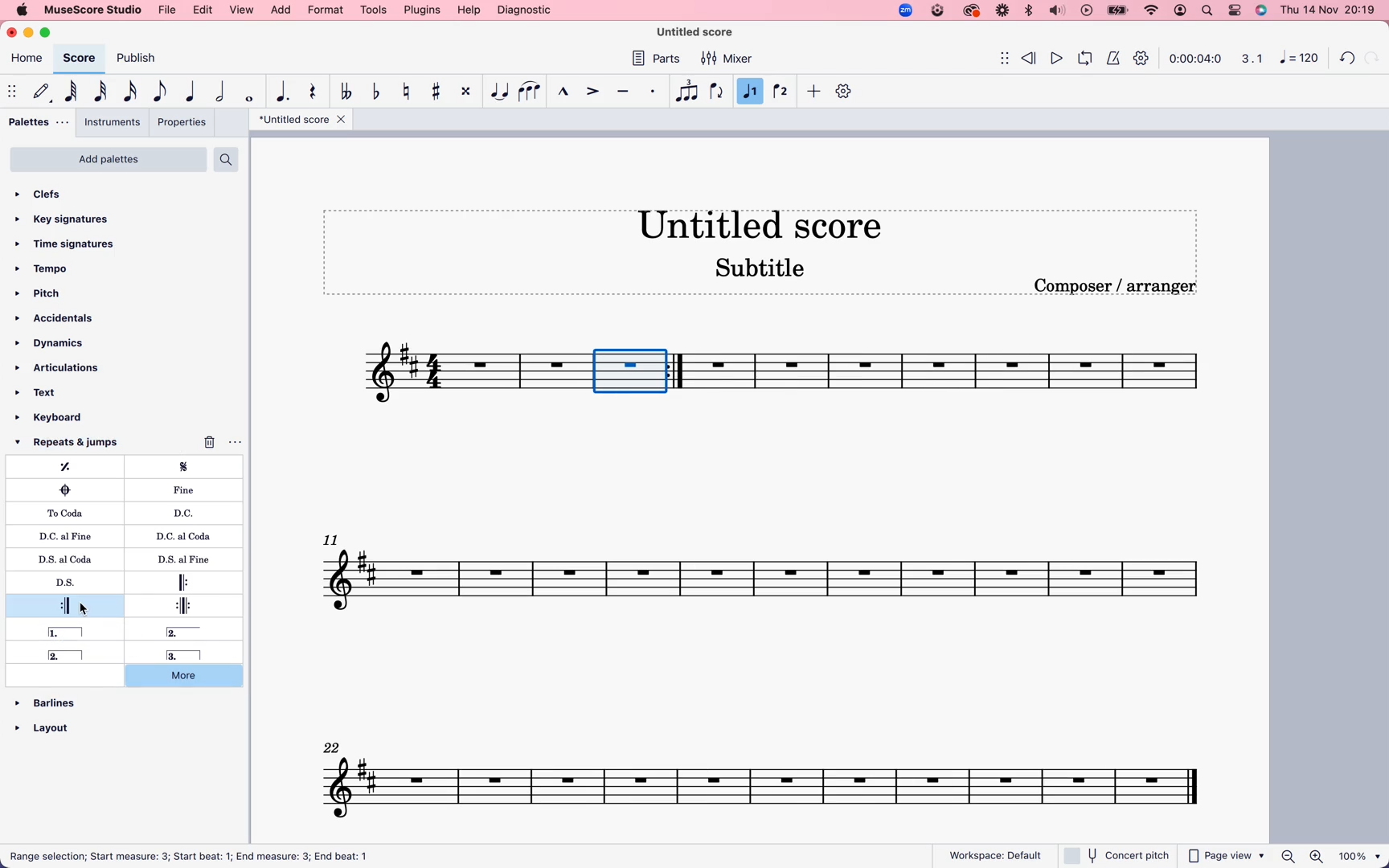  I want to click on accidentals, so click(59, 318).